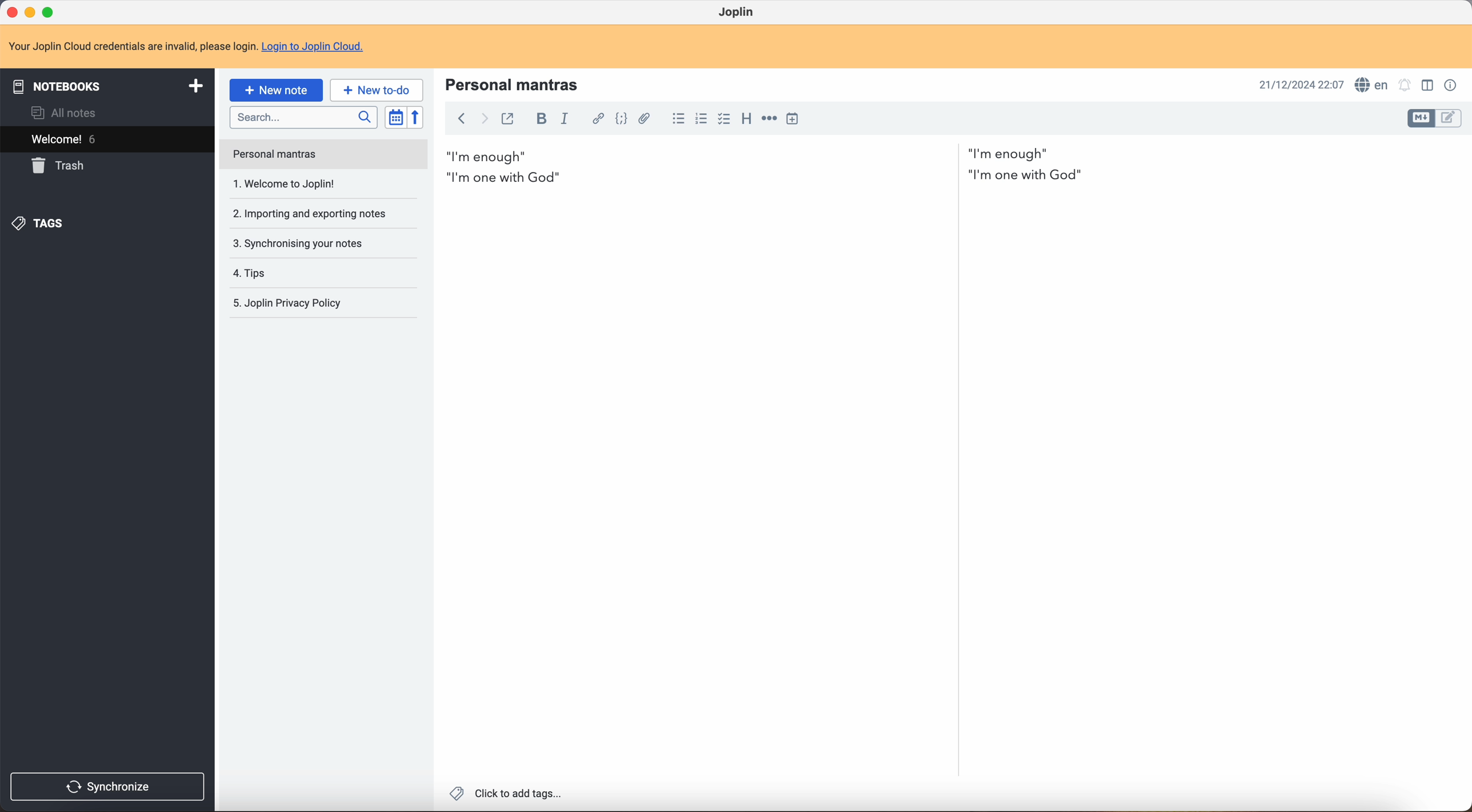  I want to click on bulleted list, so click(678, 119).